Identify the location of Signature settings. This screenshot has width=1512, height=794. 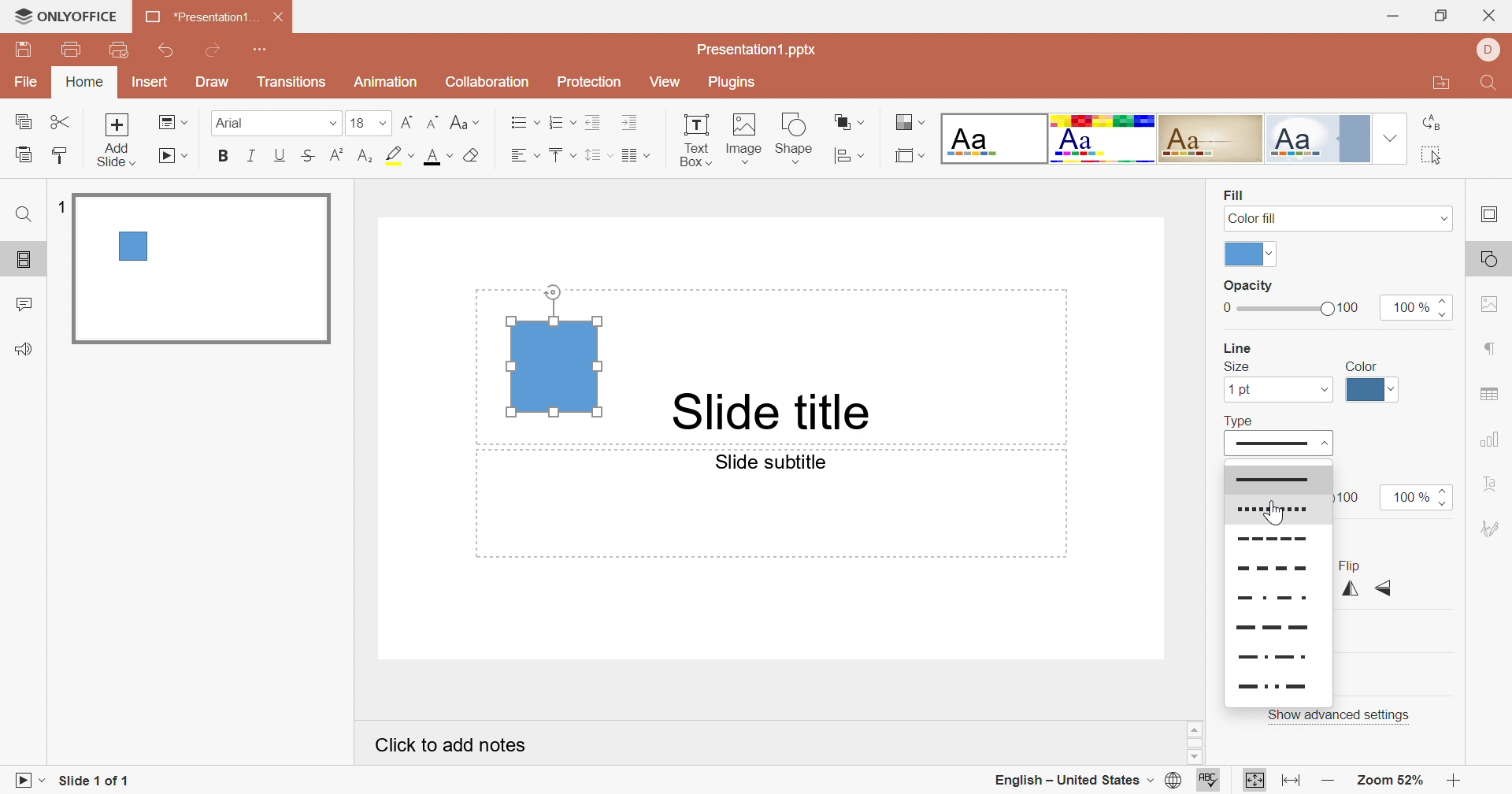
(1492, 525).